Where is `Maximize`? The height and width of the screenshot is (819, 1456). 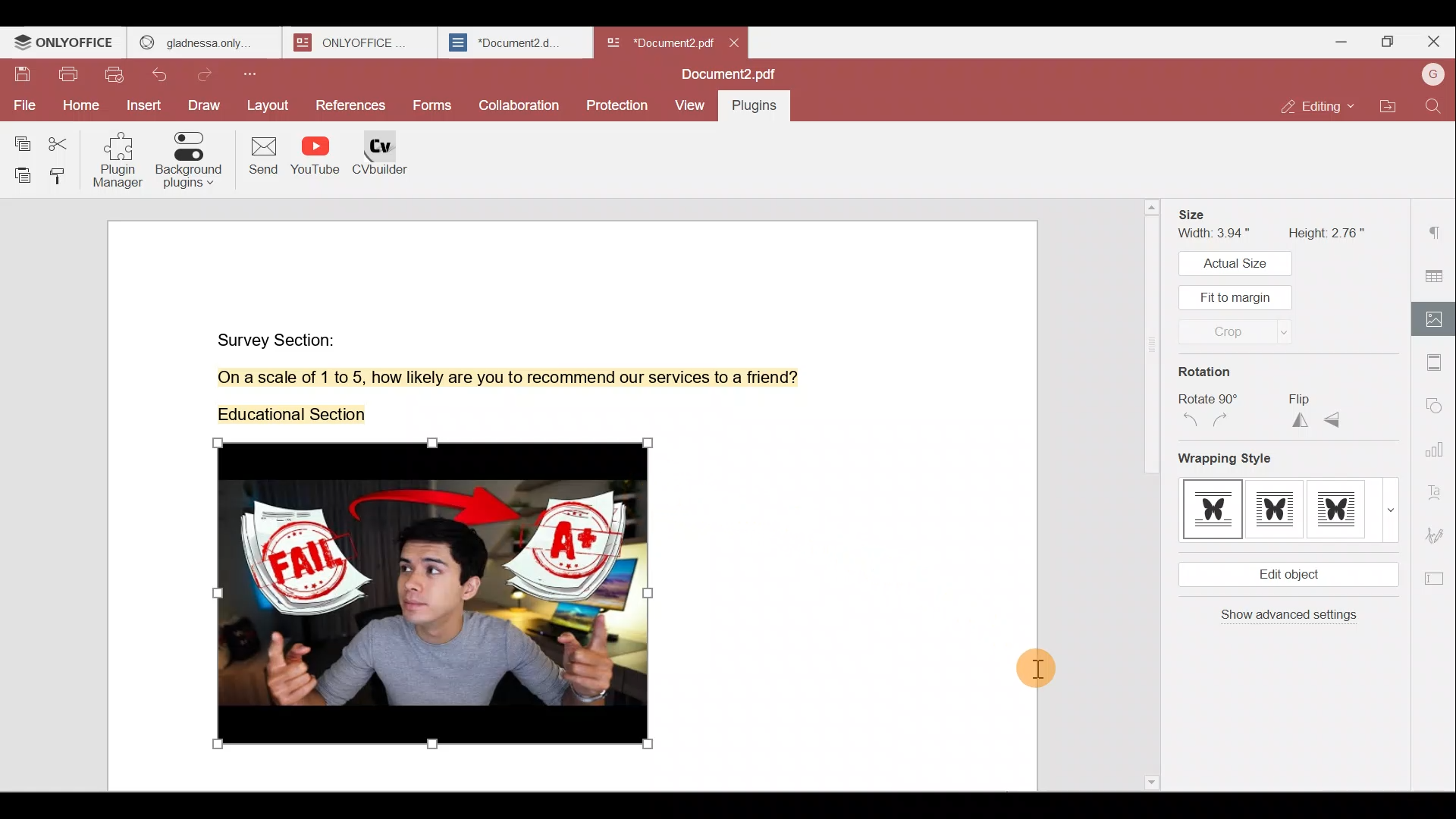
Maximize is located at coordinates (1386, 44).